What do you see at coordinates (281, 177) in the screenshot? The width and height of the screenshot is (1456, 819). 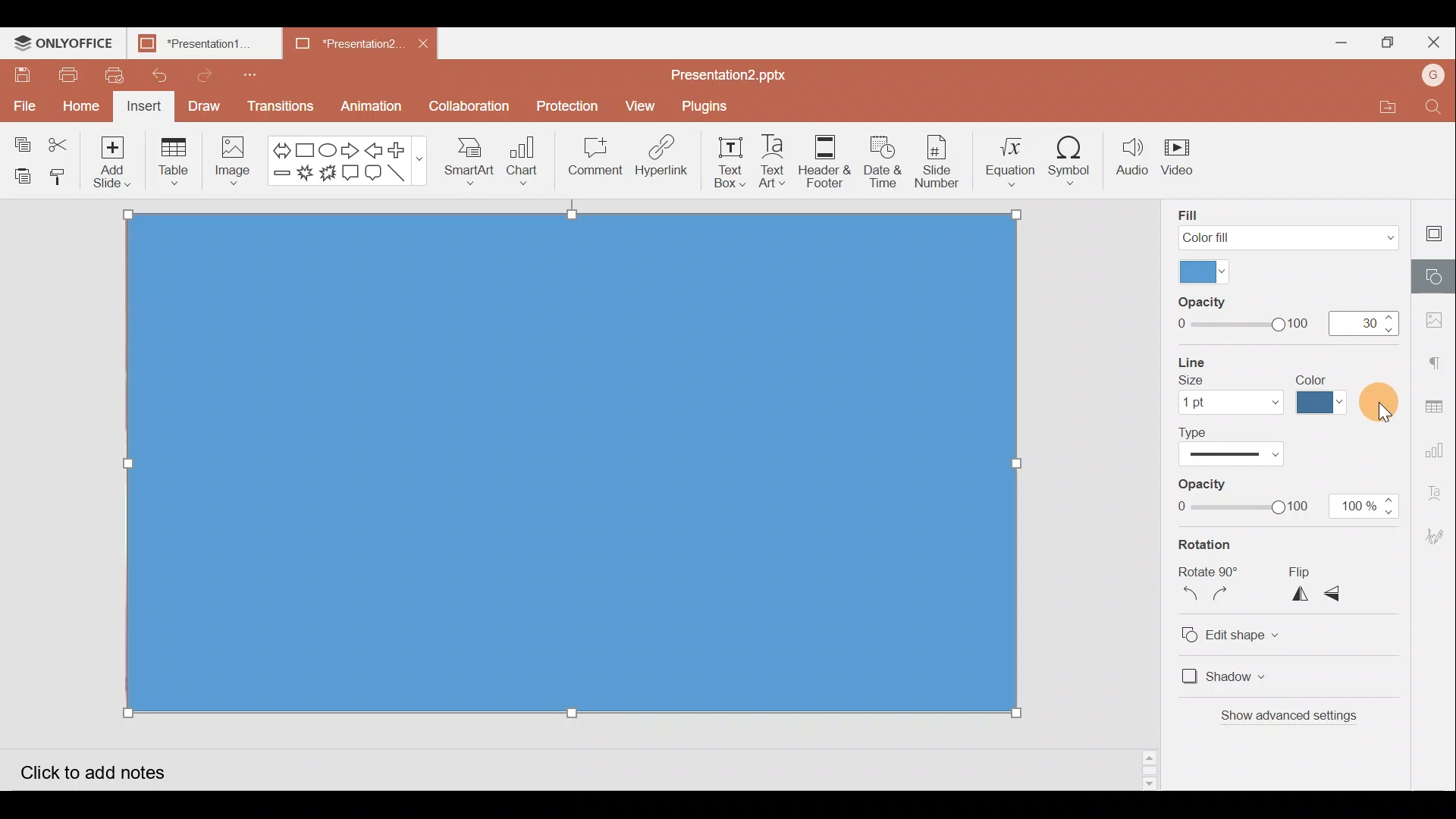 I see `Minus` at bounding box center [281, 177].